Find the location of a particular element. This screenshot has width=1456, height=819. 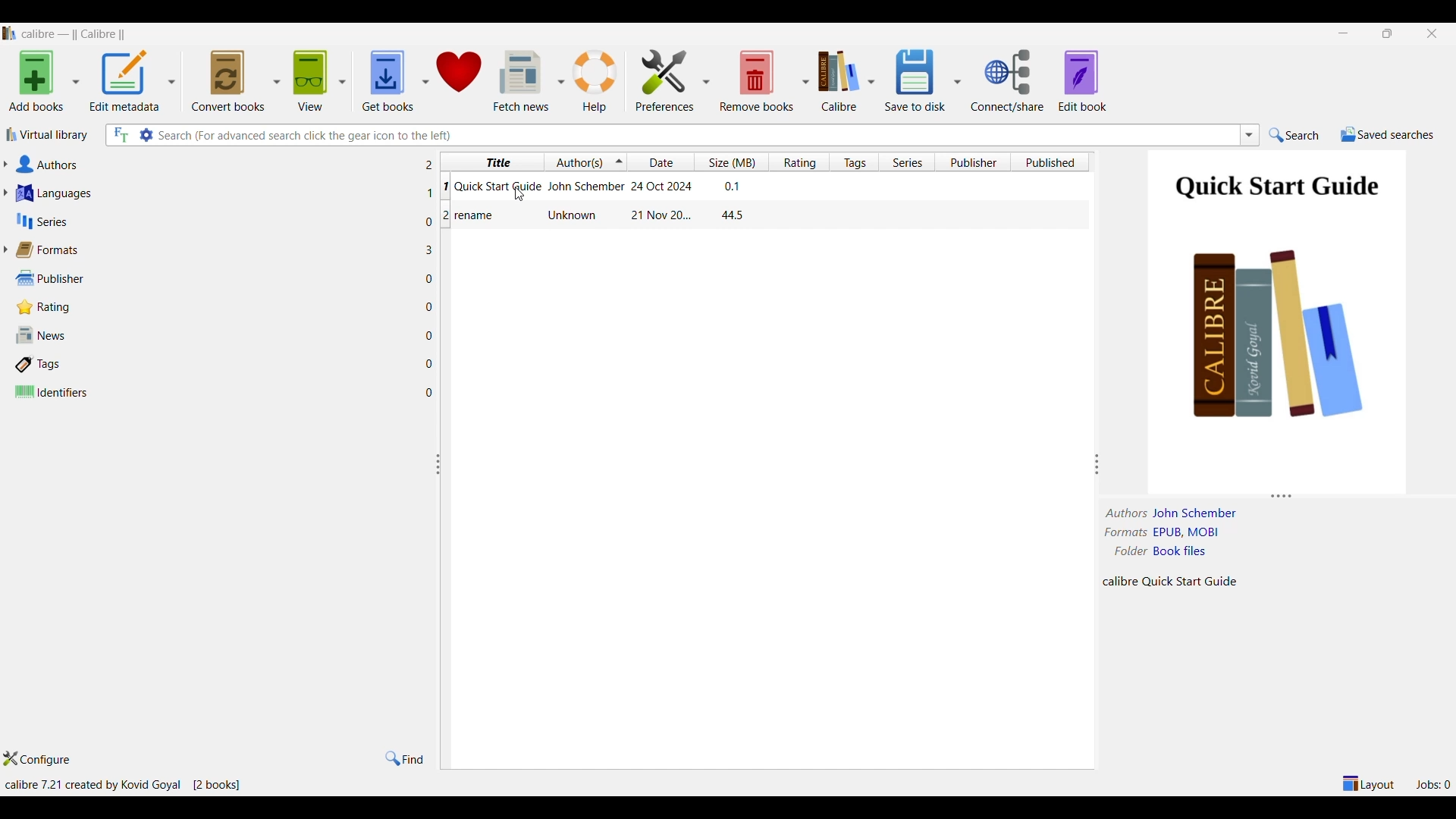

Search is located at coordinates (1294, 135).